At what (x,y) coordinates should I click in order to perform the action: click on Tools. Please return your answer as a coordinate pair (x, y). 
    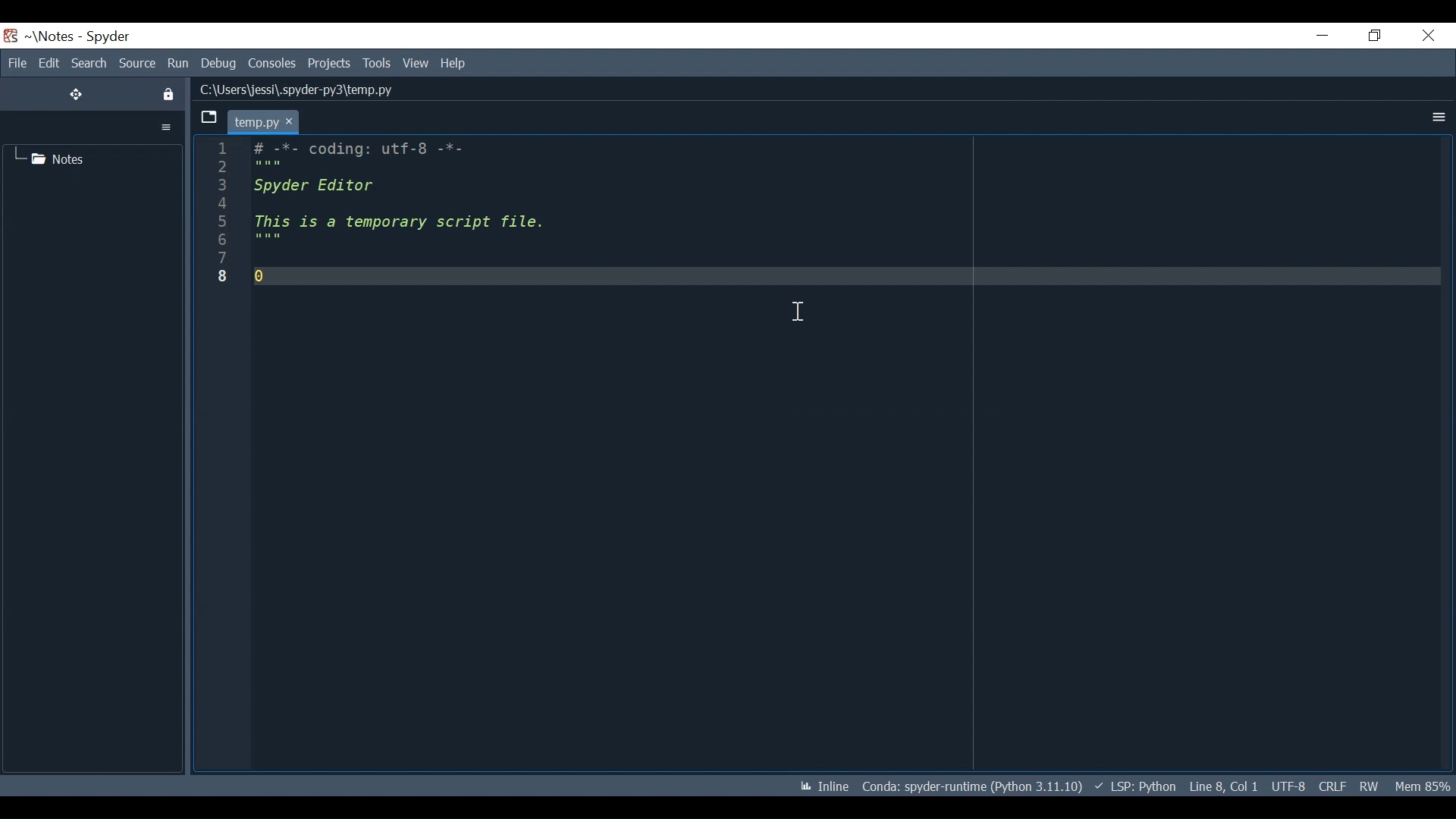
    Looking at the image, I should click on (377, 64).